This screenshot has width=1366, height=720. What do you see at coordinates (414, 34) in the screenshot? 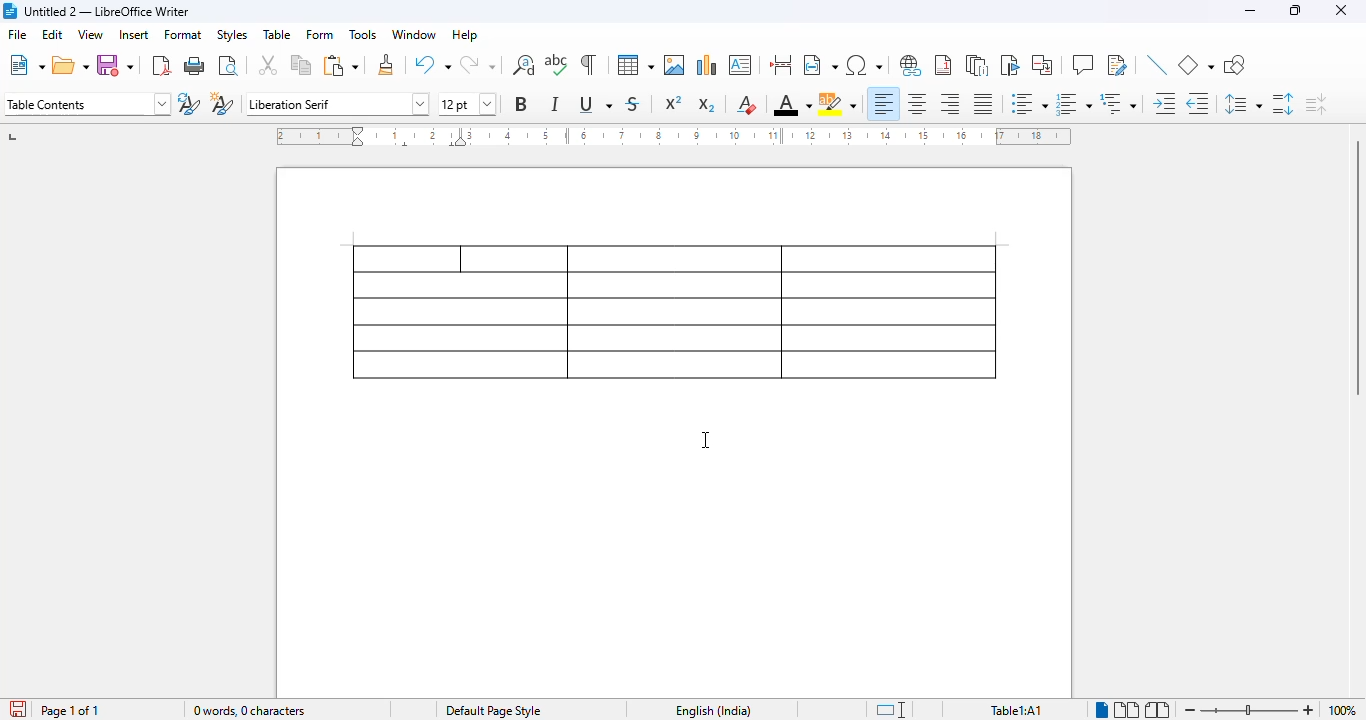
I see `window` at bounding box center [414, 34].